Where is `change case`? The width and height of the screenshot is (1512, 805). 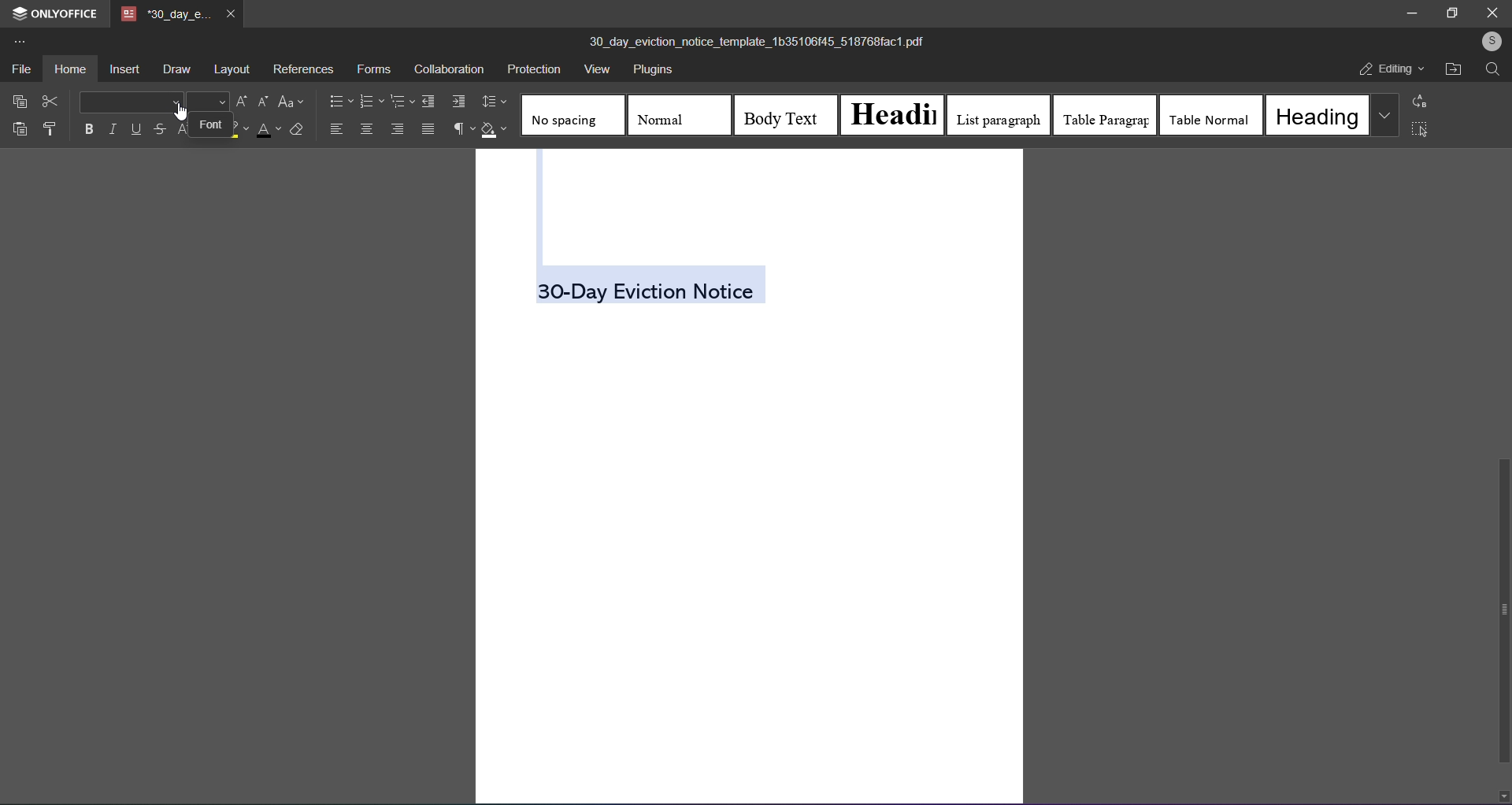
change case is located at coordinates (293, 102).